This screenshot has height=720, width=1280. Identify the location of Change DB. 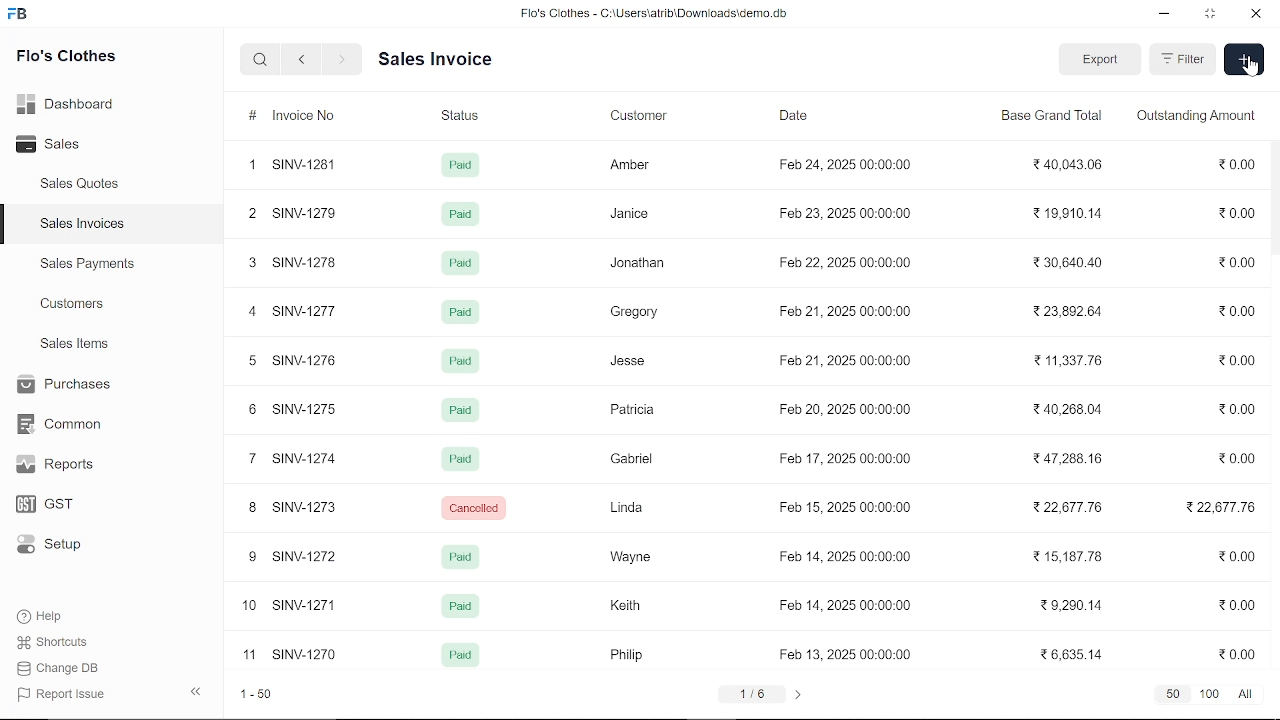
(60, 667).